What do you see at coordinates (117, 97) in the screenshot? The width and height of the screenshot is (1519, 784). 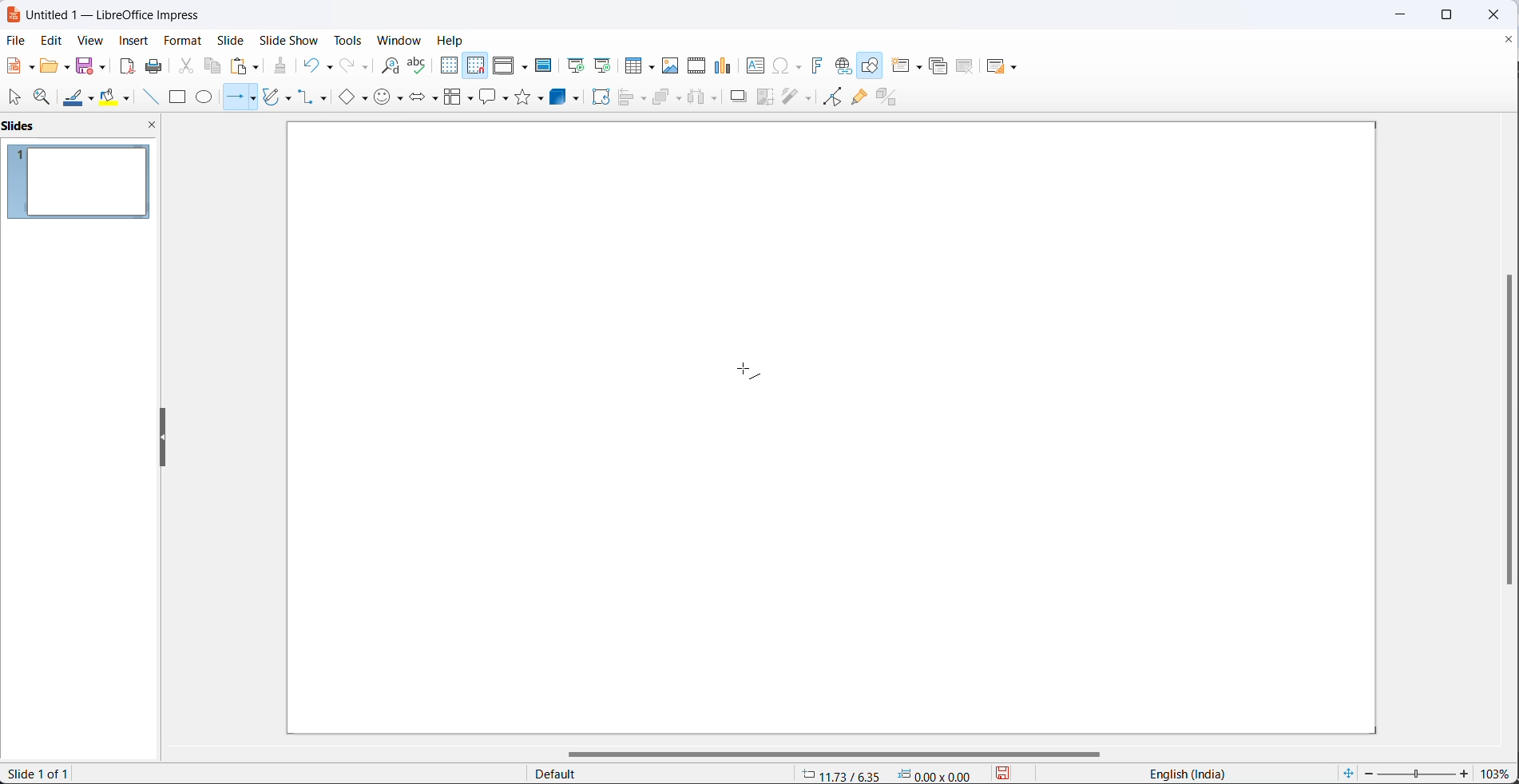 I see `fill color` at bounding box center [117, 97].